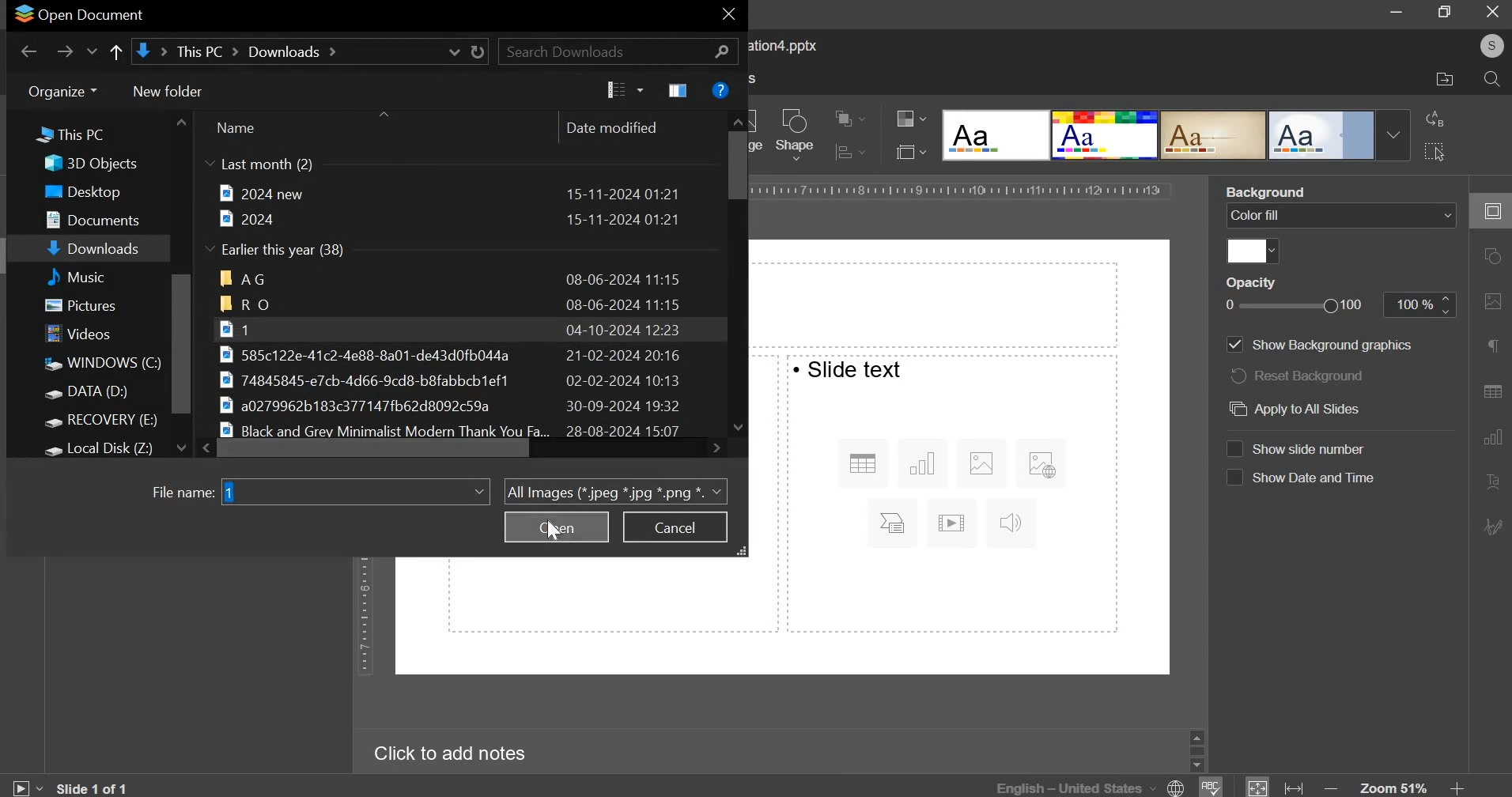 The width and height of the screenshot is (1512, 797). What do you see at coordinates (1397, 13) in the screenshot?
I see `minimize` at bounding box center [1397, 13].